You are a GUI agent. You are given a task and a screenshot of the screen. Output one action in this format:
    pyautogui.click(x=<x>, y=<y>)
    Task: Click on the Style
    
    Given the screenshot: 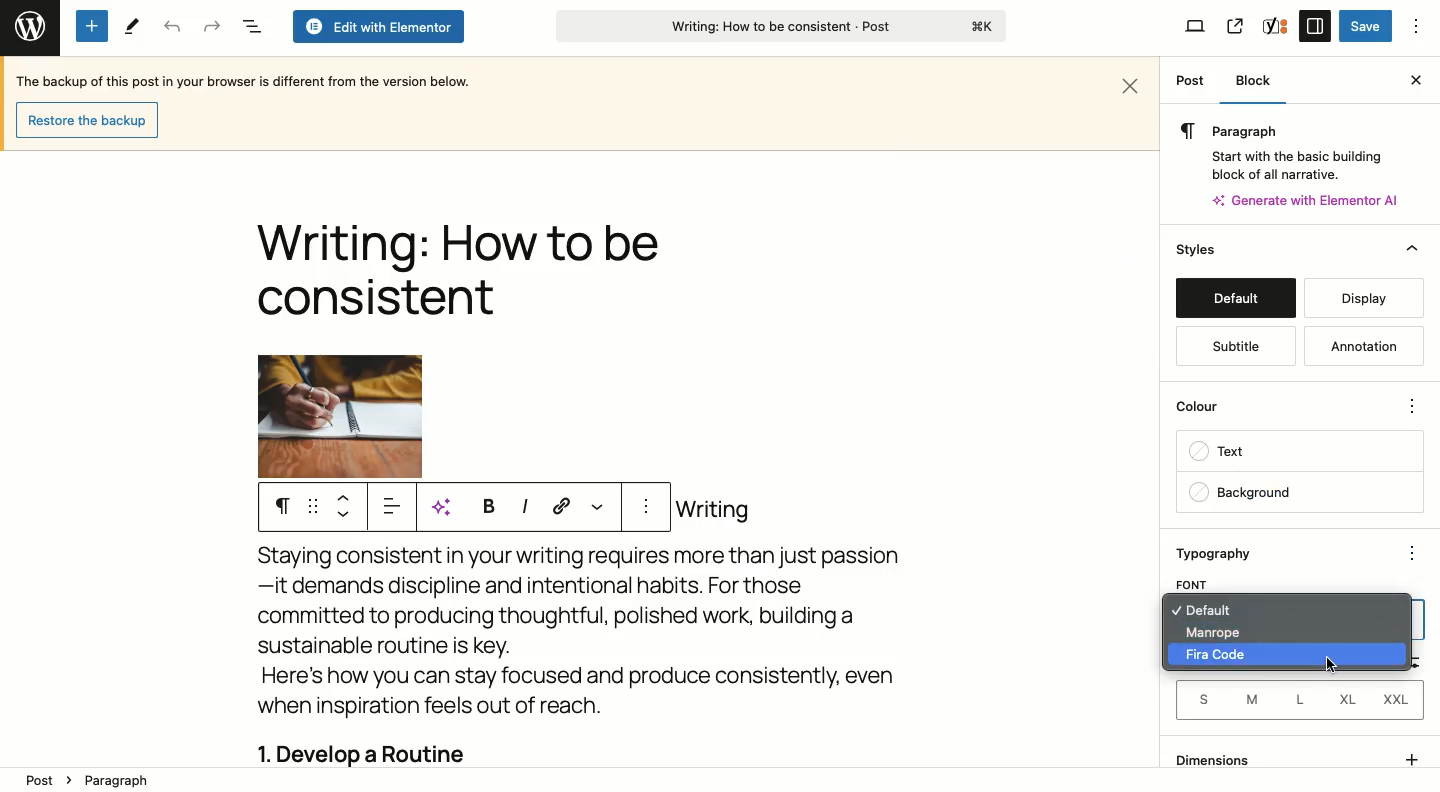 What is the action you would take?
    pyautogui.click(x=1198, y=249)
    